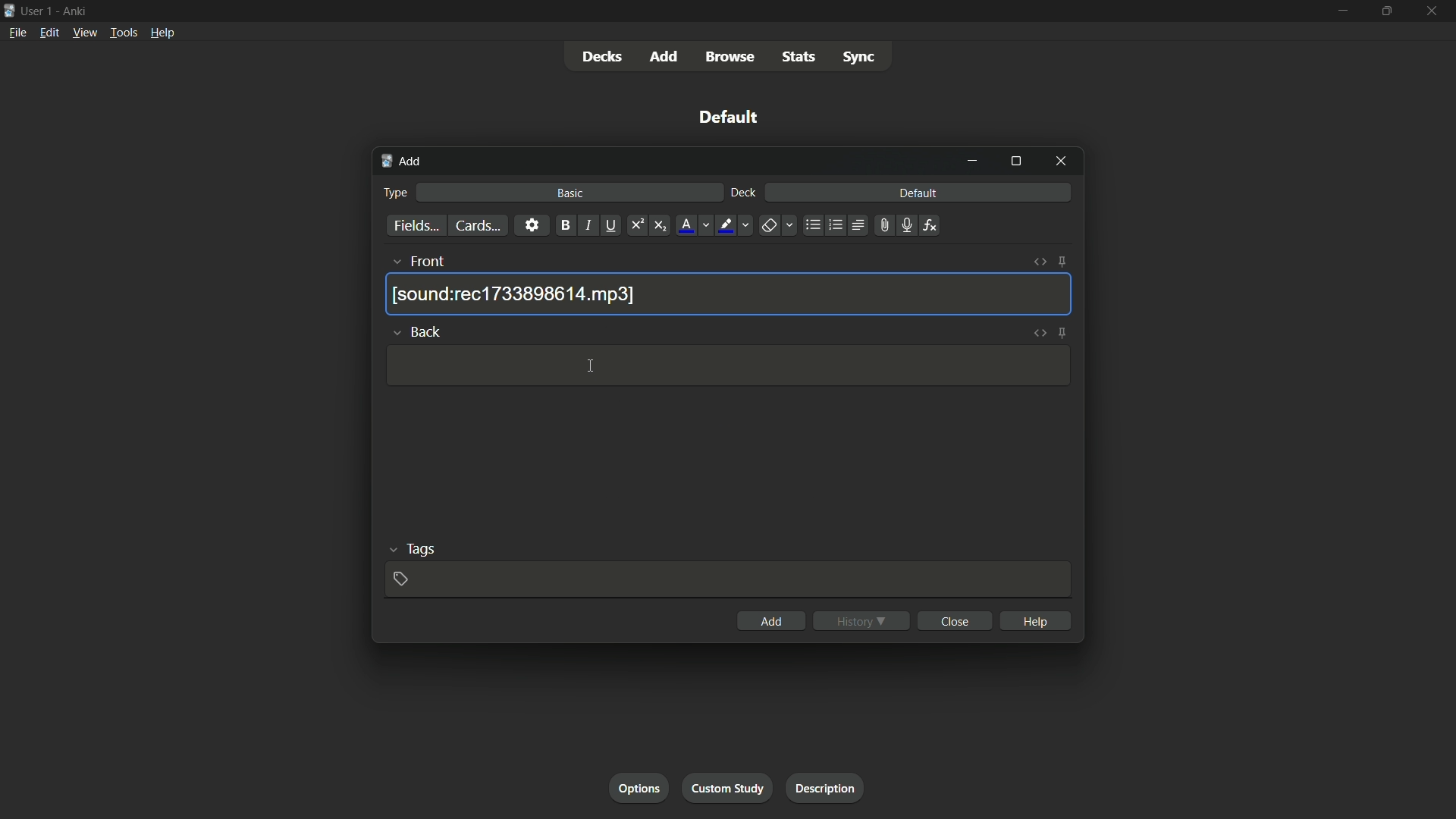 Image resolution: width=1456 pixels, height=819 pixels. Describe the element at coordinates (602, 57) in the screenshot. I see `decks` at that location.